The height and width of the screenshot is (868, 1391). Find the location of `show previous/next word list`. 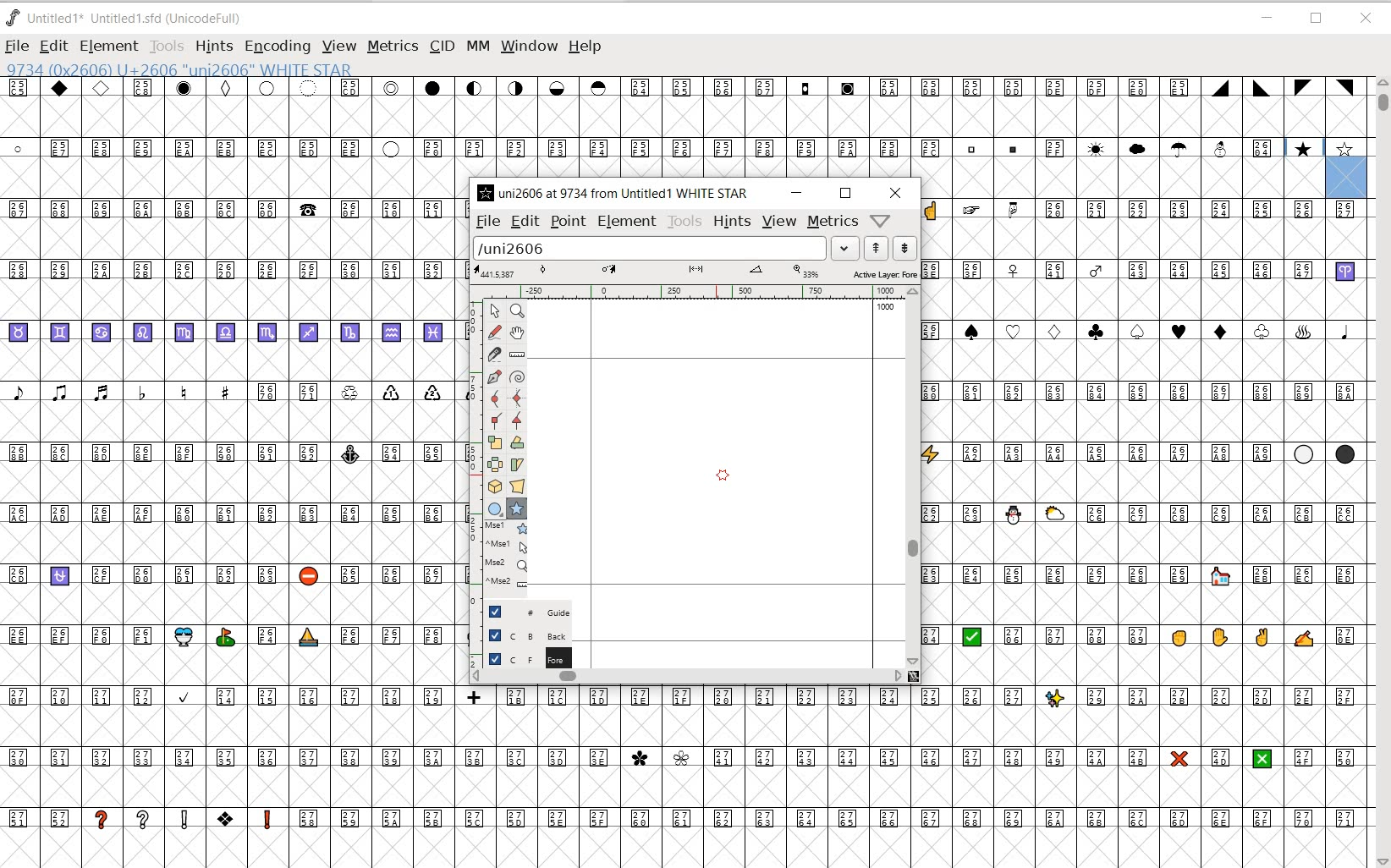

show previous/next word list is located at coordinates (891, 247).